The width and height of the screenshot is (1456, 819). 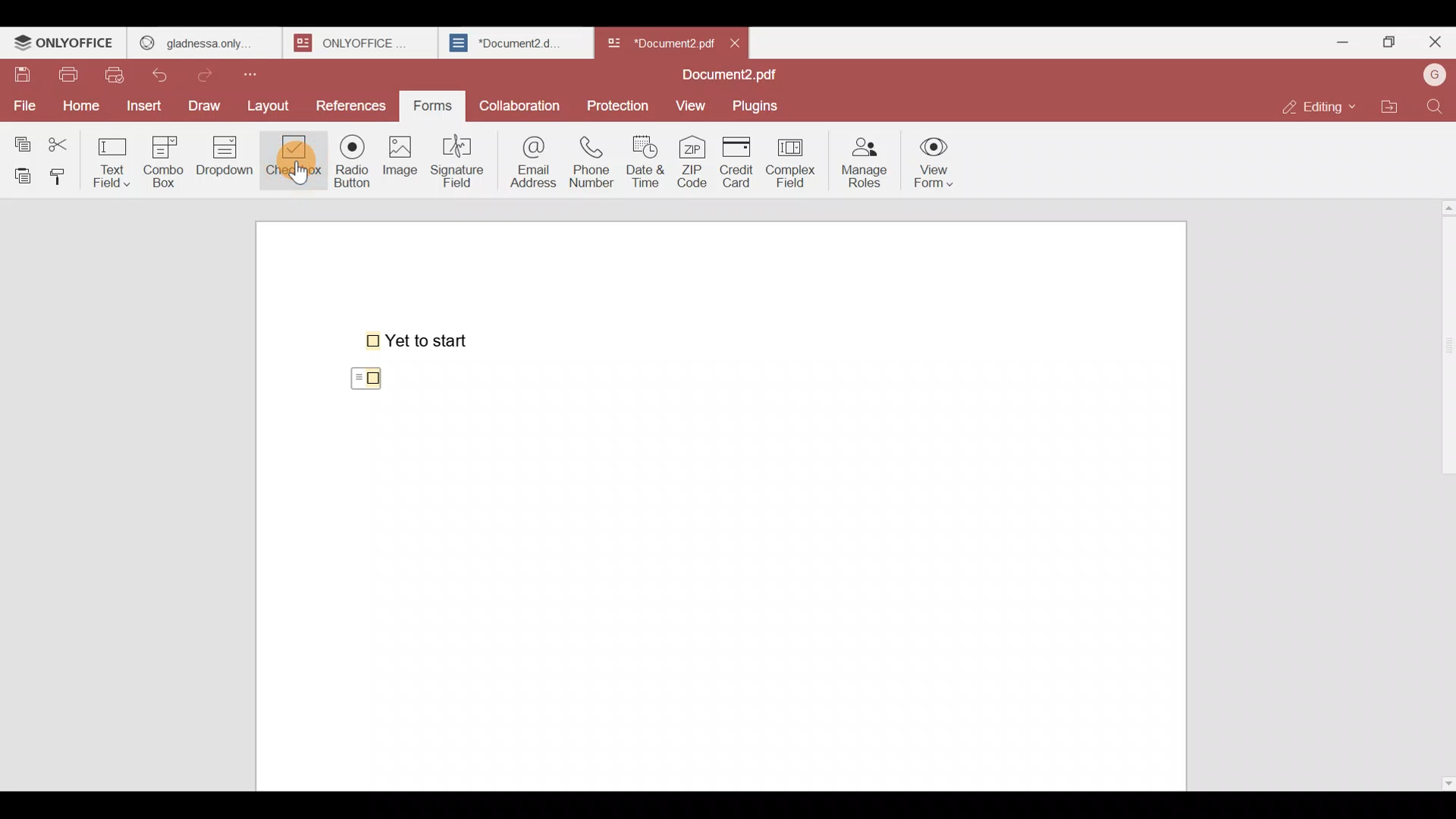 What do you see at coordinates (370, 376) in the screenshot?
I see `Checkbox` at bounding box center [370, 376].